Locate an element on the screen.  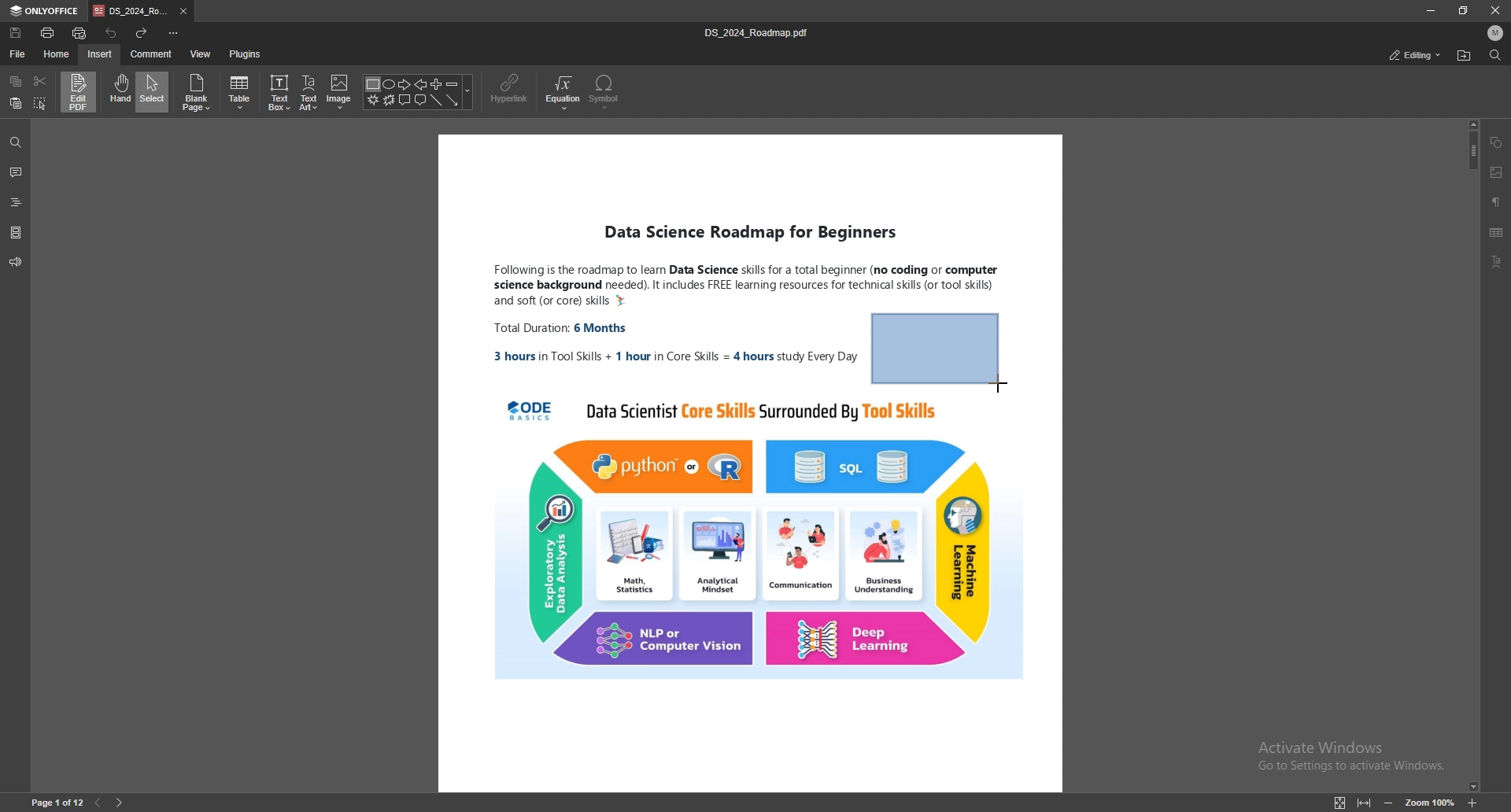
pdf is located at coordinates (626, 464).